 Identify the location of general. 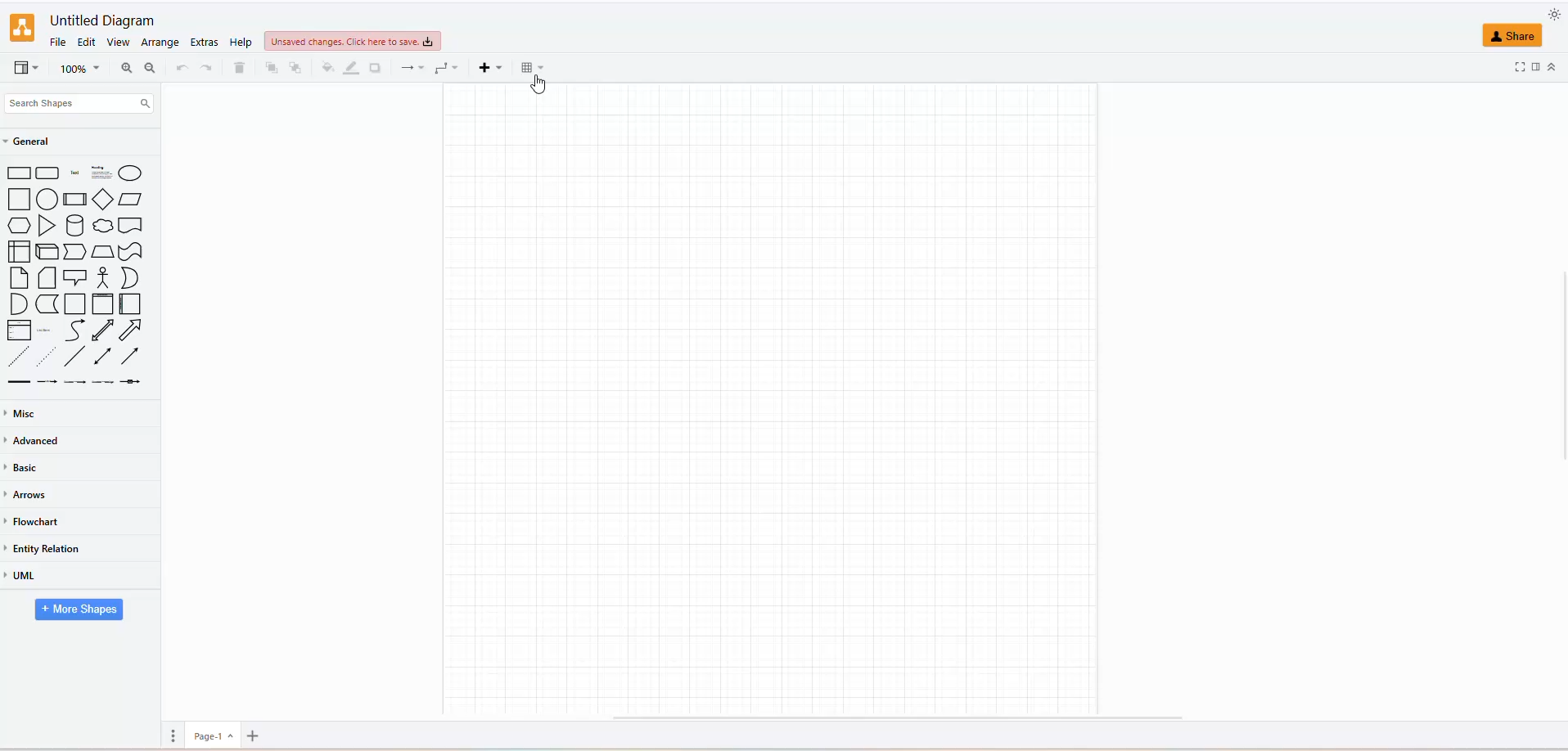
(44, 140).